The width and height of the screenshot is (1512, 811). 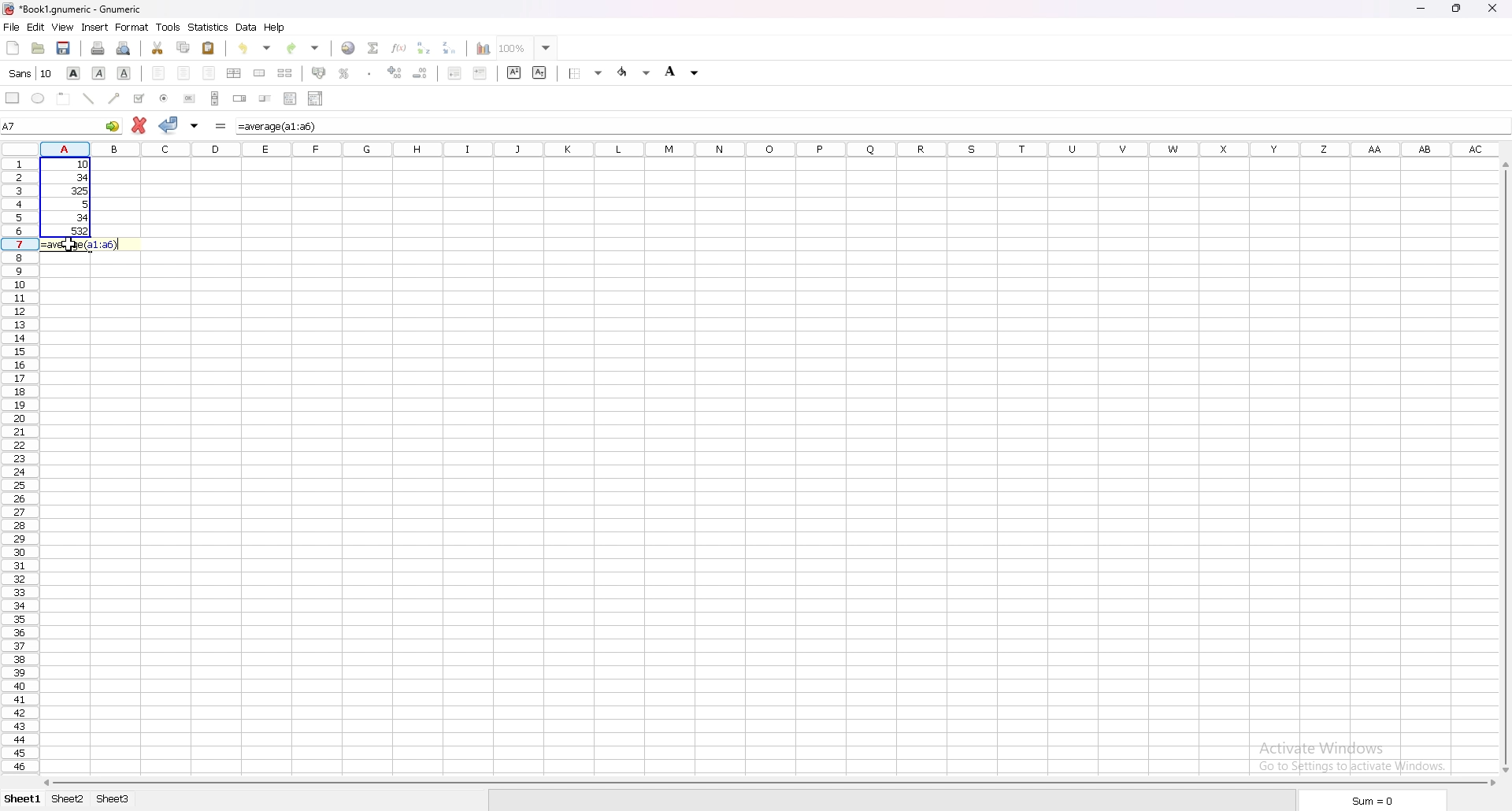 I want to click on hyperlink, so click(x=347, y=47).